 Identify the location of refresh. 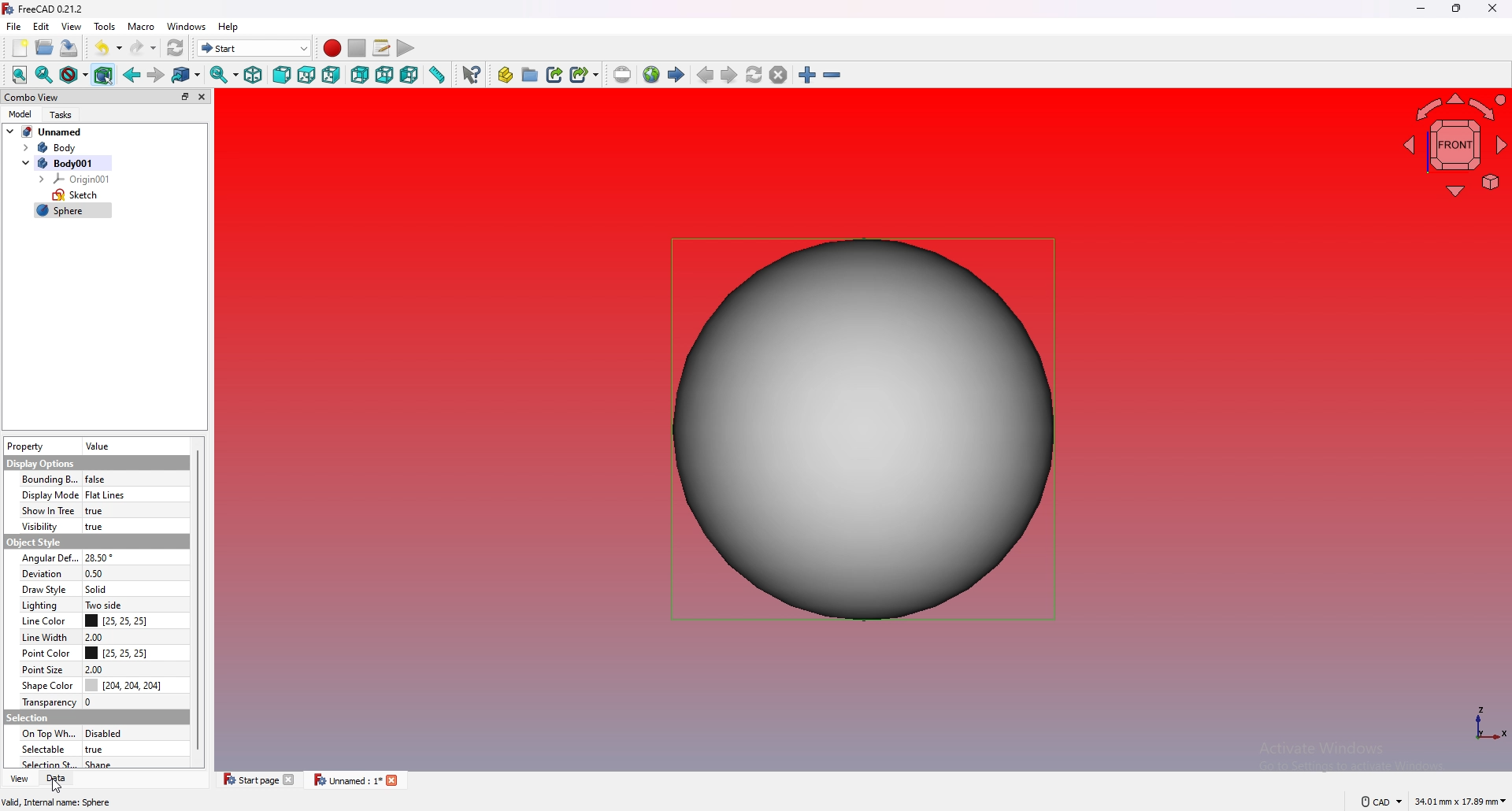
(176, 47).